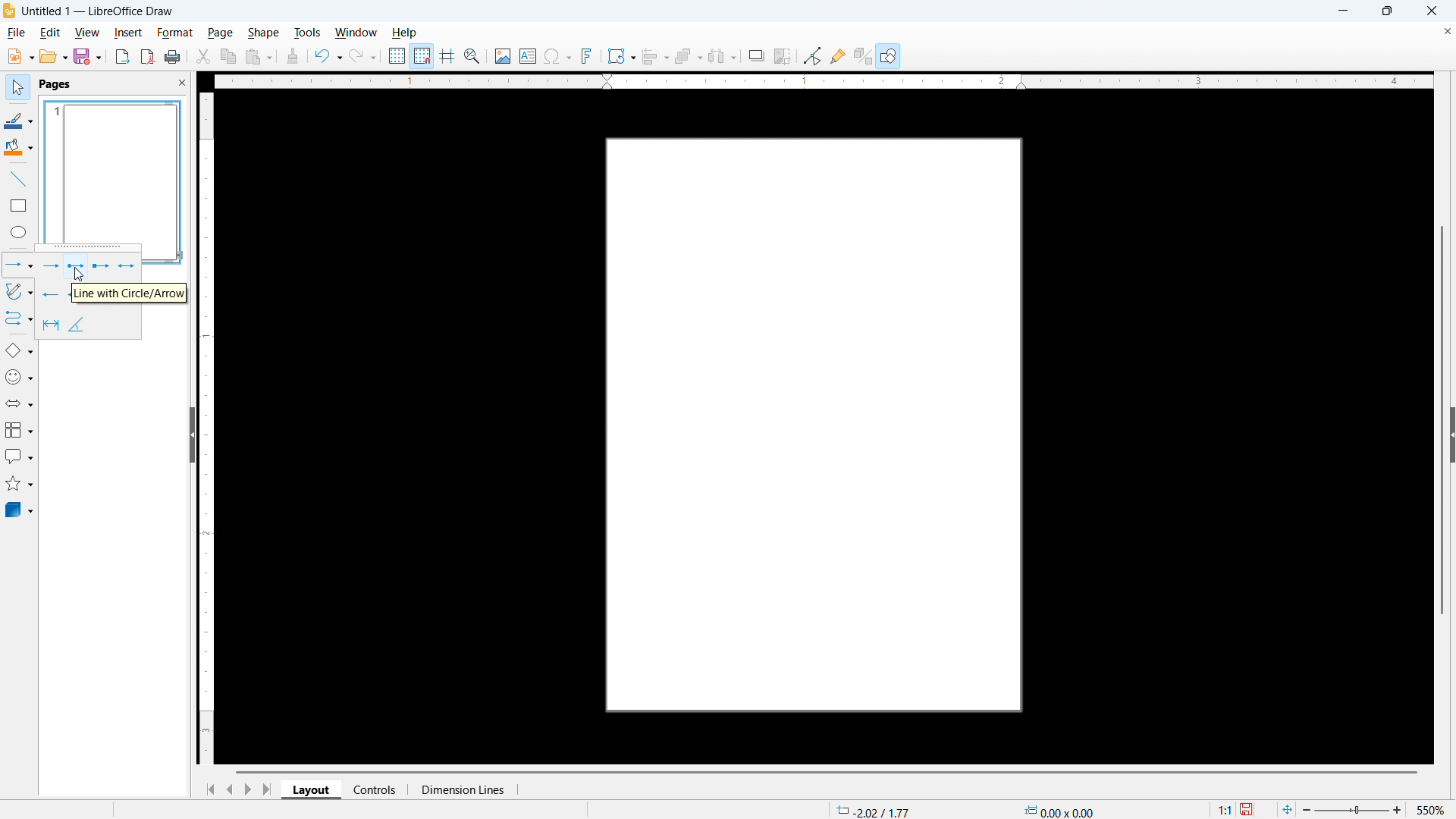 This screenshot has width=1456, height=819. I want to click on 1:1, so click(1225, 809).